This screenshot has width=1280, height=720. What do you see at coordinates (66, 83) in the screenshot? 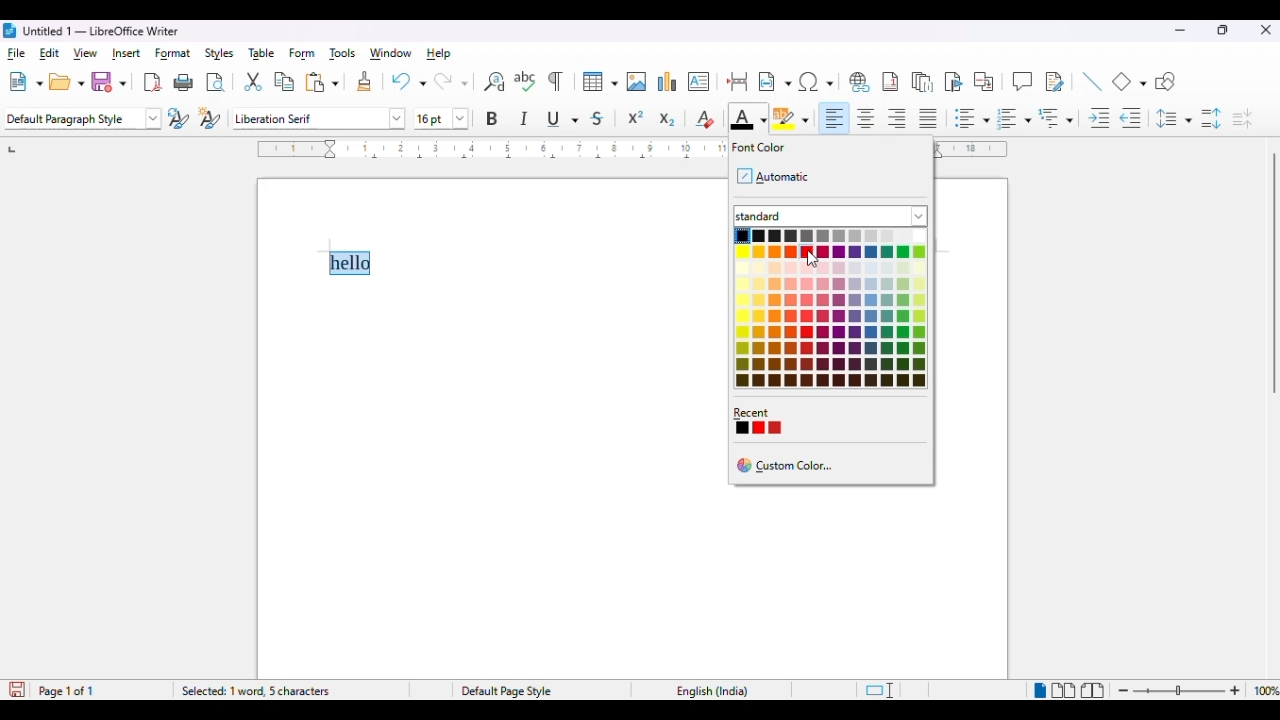
I see `open` at bounding box center [66, 83].